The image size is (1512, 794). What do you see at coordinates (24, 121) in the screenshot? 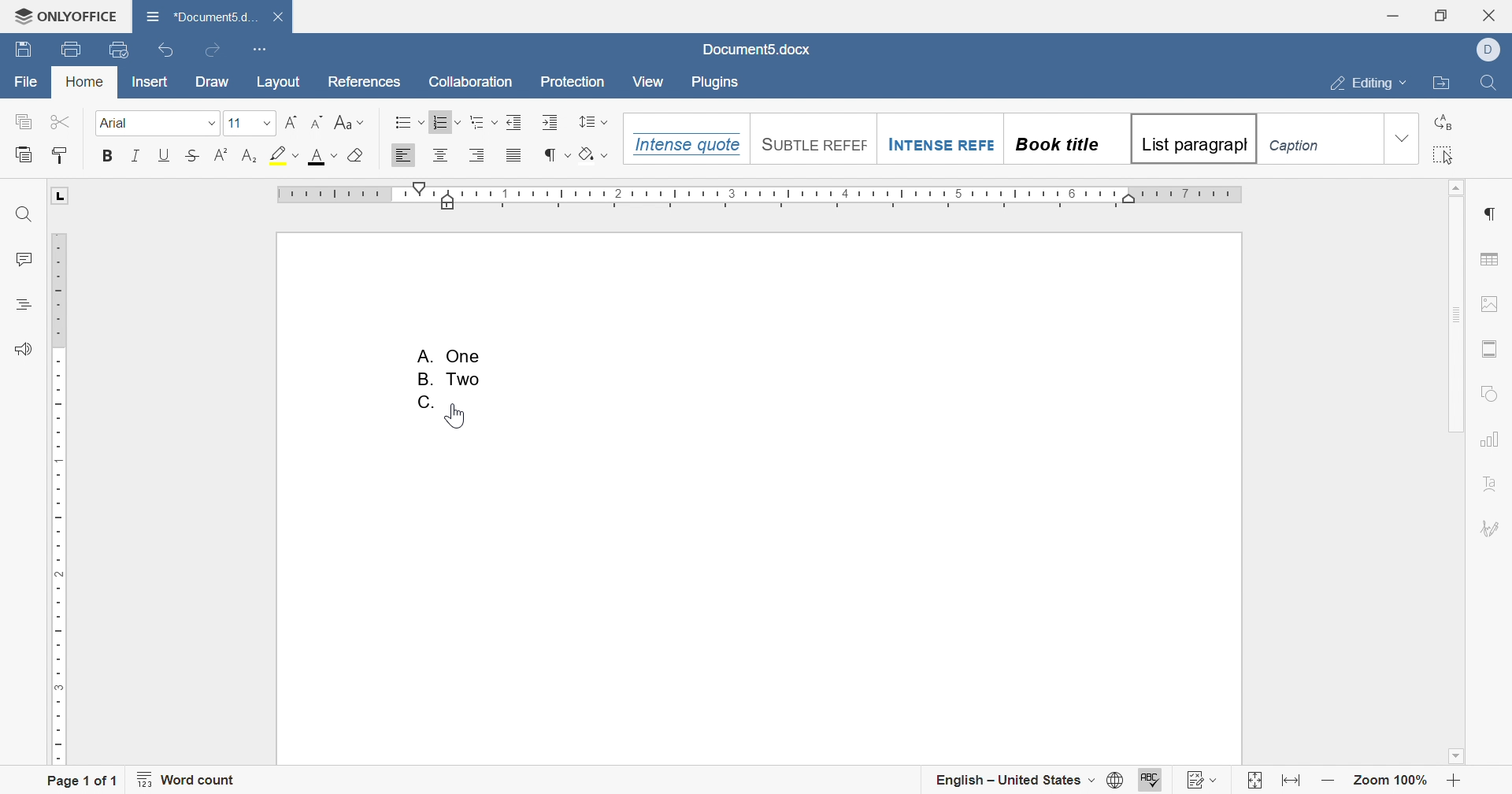
I see `copy` at bounding box center [24, 121].